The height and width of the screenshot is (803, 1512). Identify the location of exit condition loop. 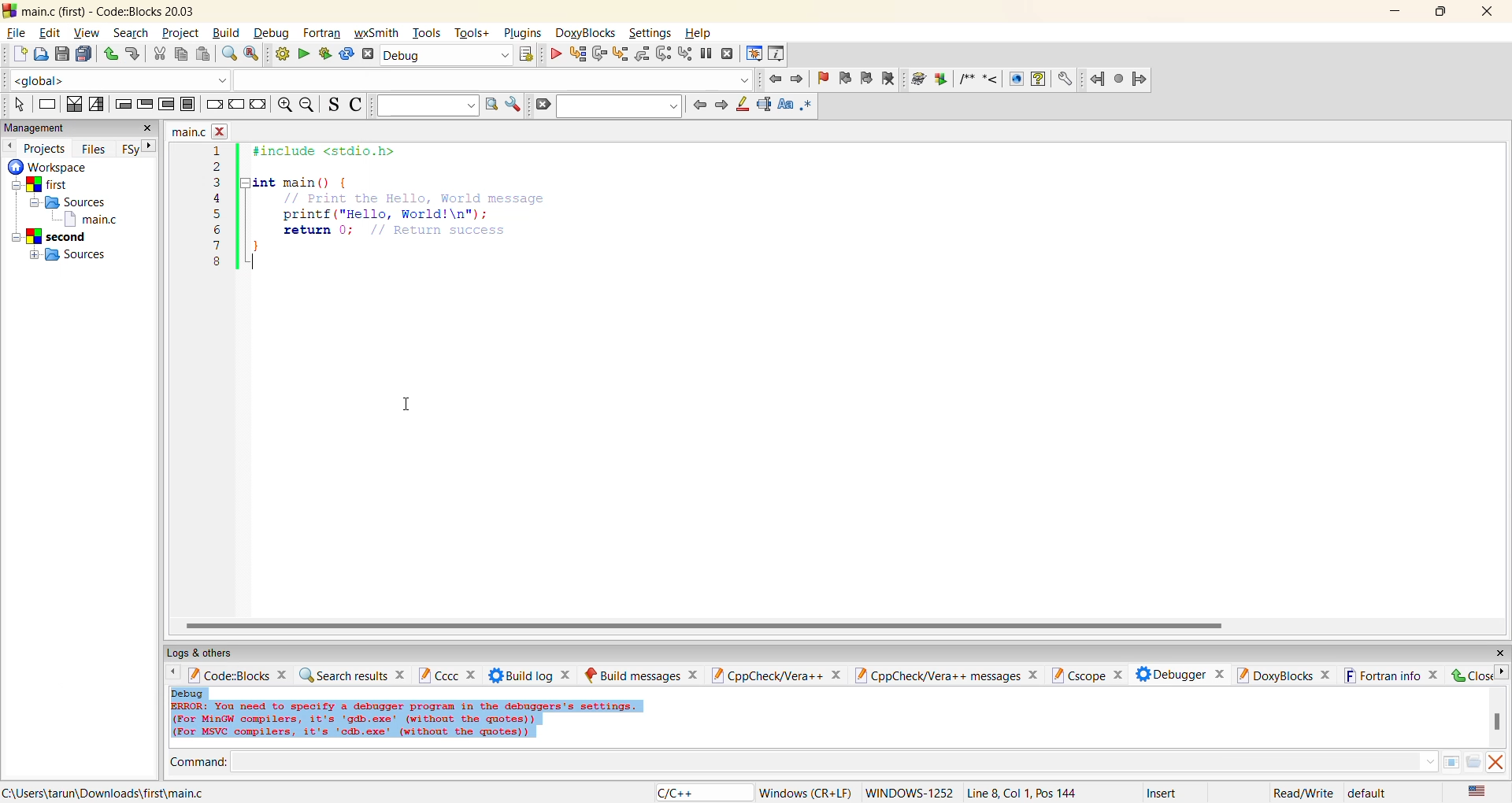
(146, 105).